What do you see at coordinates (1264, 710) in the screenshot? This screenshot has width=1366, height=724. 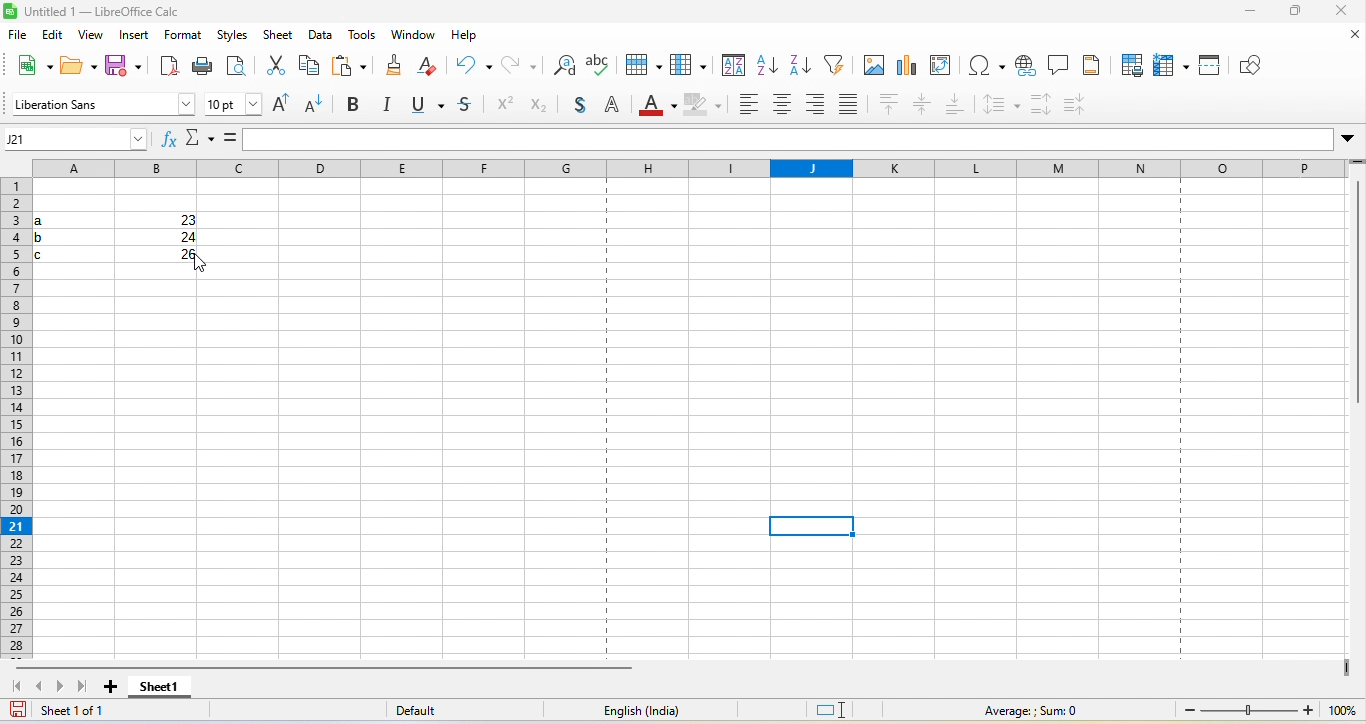 I see `zoom` at bounding box center [1264, 710].